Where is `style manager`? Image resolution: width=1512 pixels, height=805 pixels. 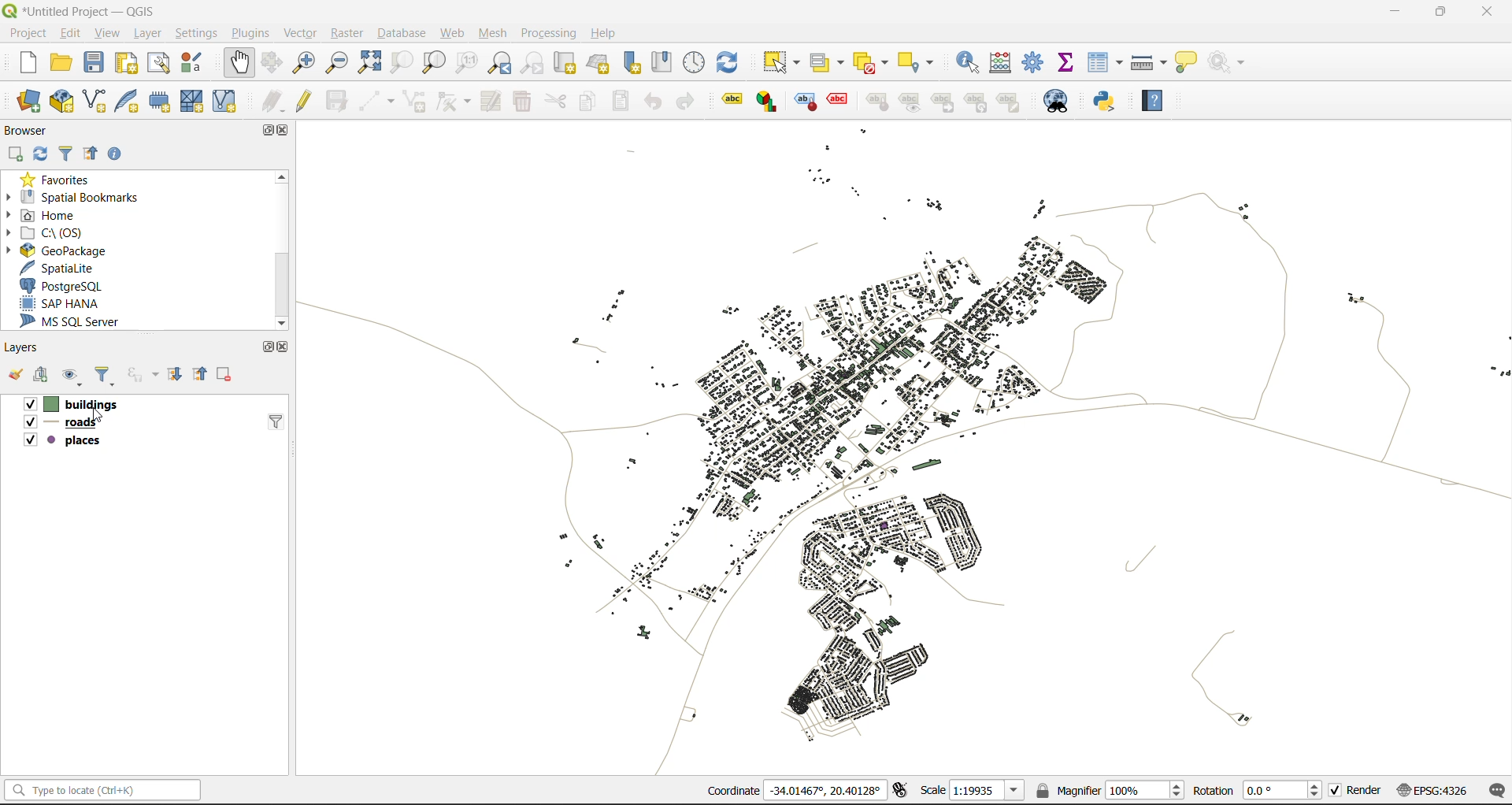 style manager is located at coordinates (192, 65).